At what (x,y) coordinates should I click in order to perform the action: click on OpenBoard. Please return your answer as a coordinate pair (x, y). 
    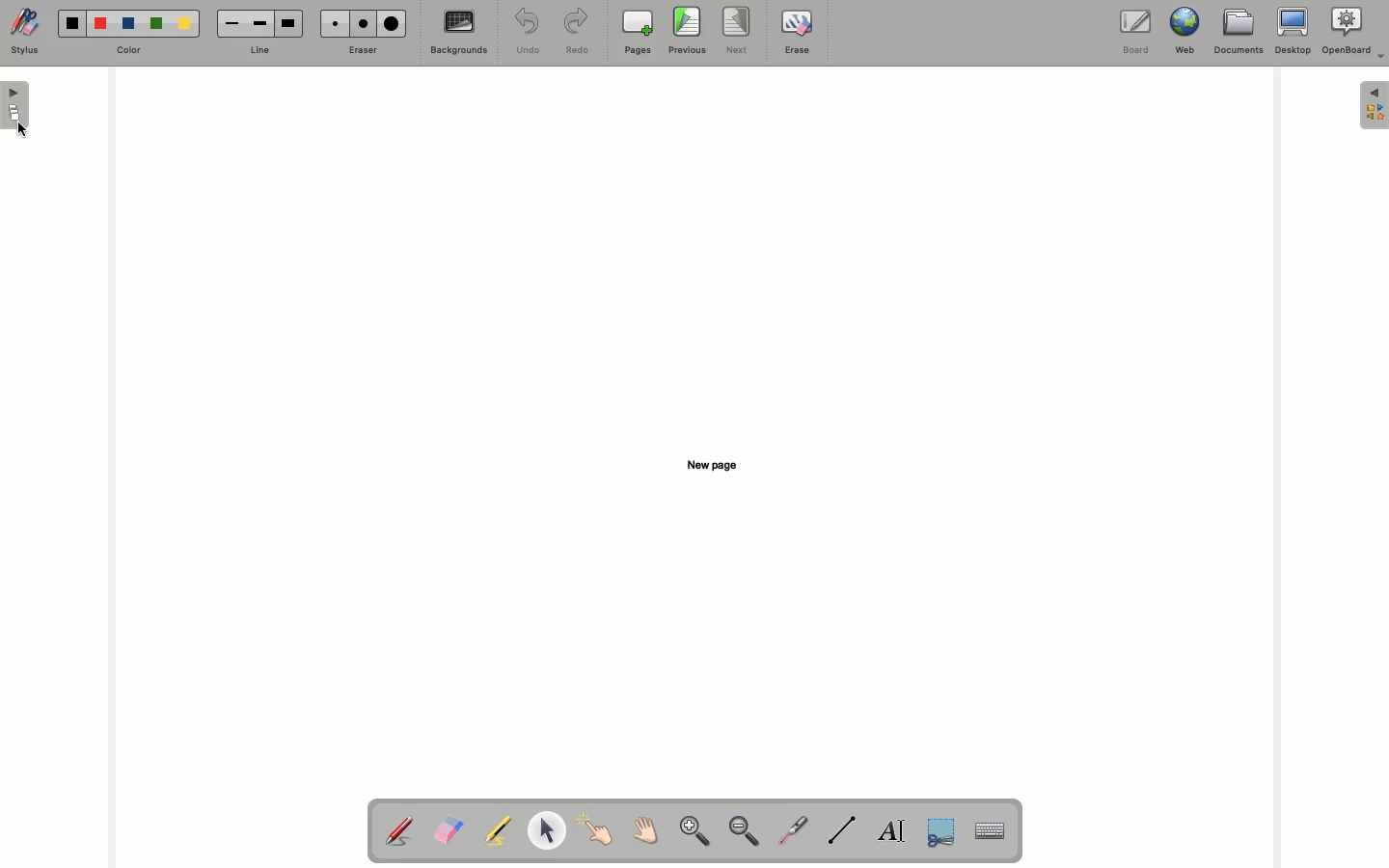
    Looking at the image, I should click on (1354, 31).